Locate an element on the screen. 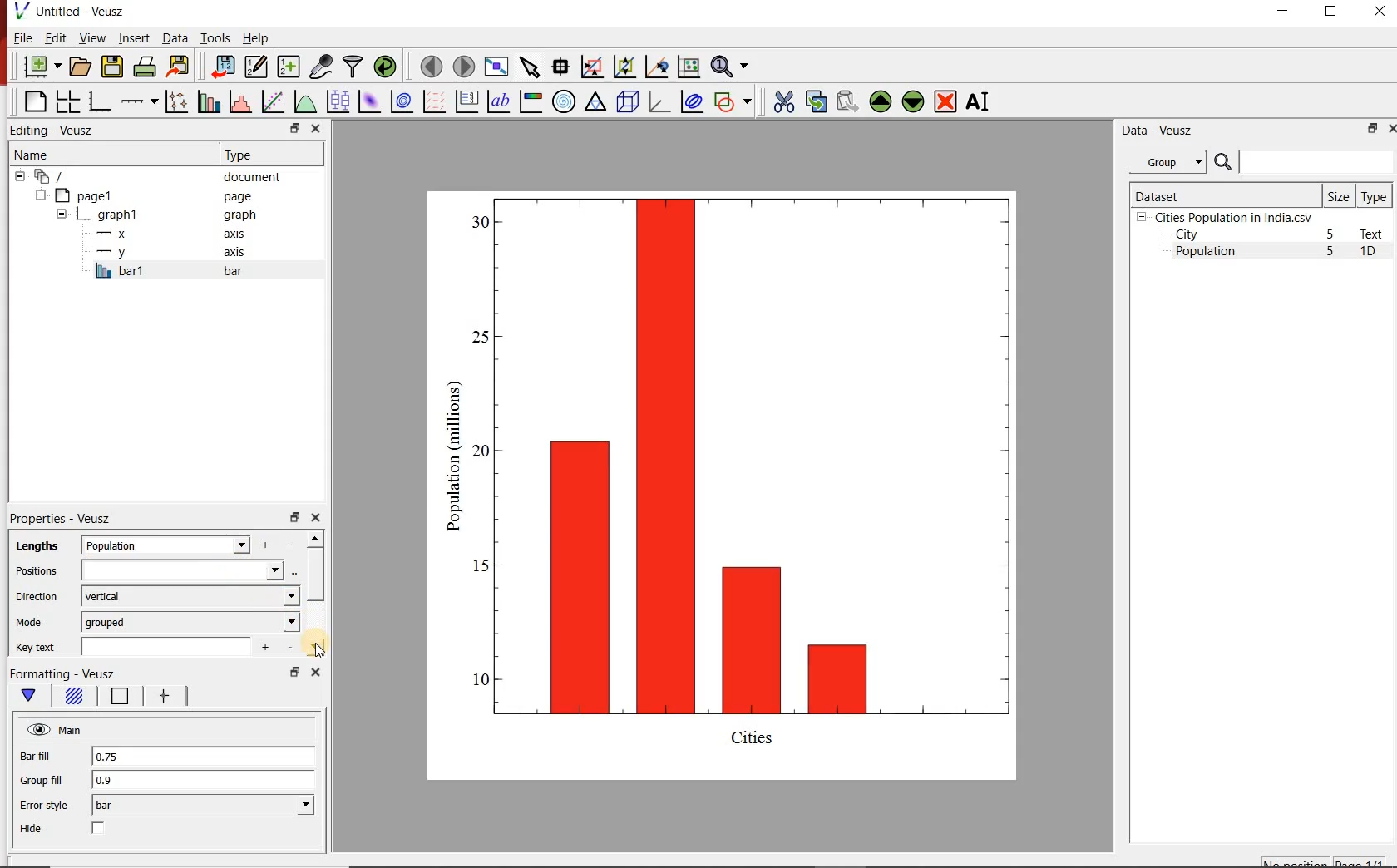 Image resolution: width=1397 pixels, height=868 pixels. print the document is located at coordinates (144, 67).